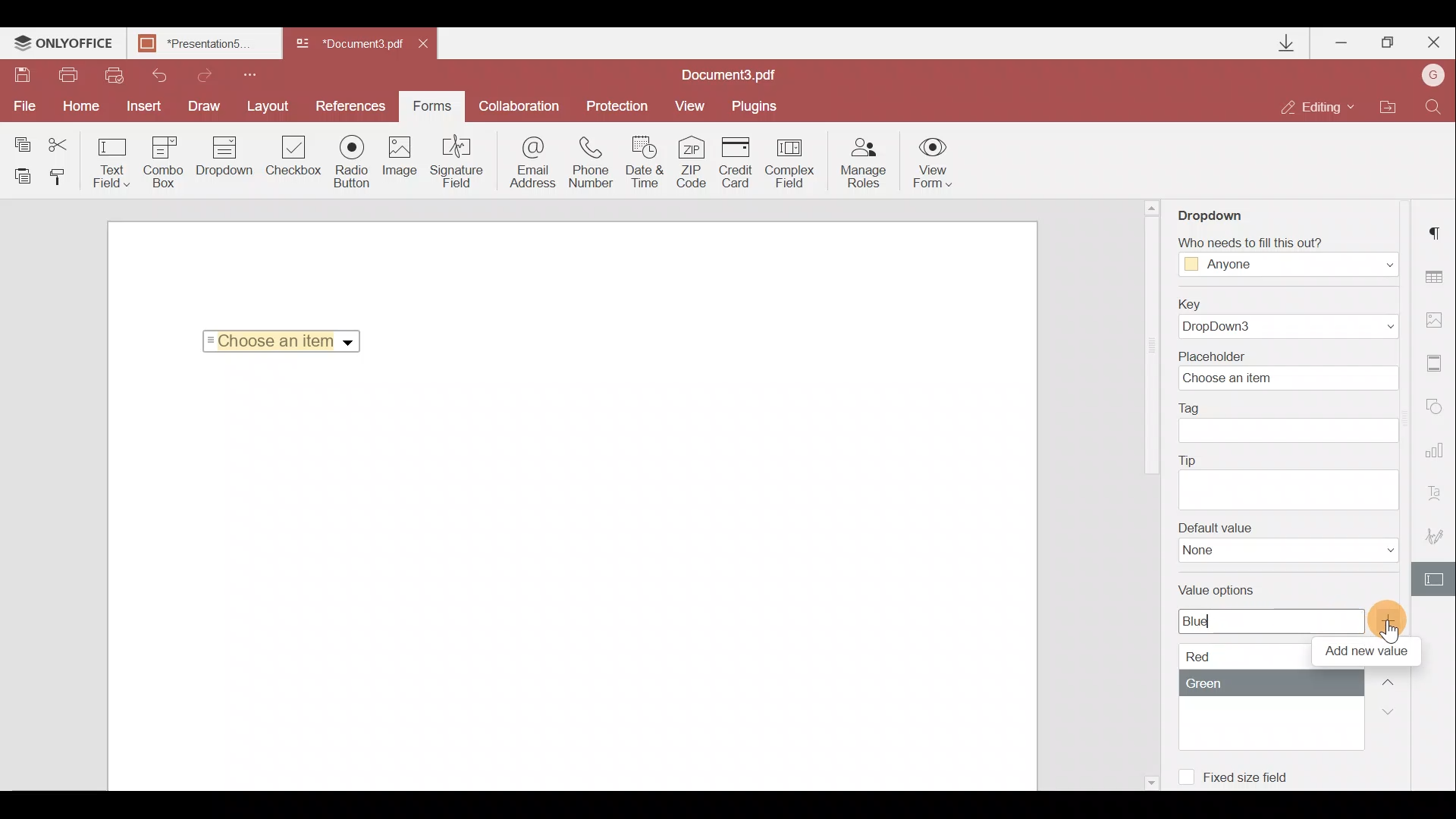 Image resolution: width=1456 pixels, height=819 pixels. I want to click on Headers & footers settings, so click(1439, 364).